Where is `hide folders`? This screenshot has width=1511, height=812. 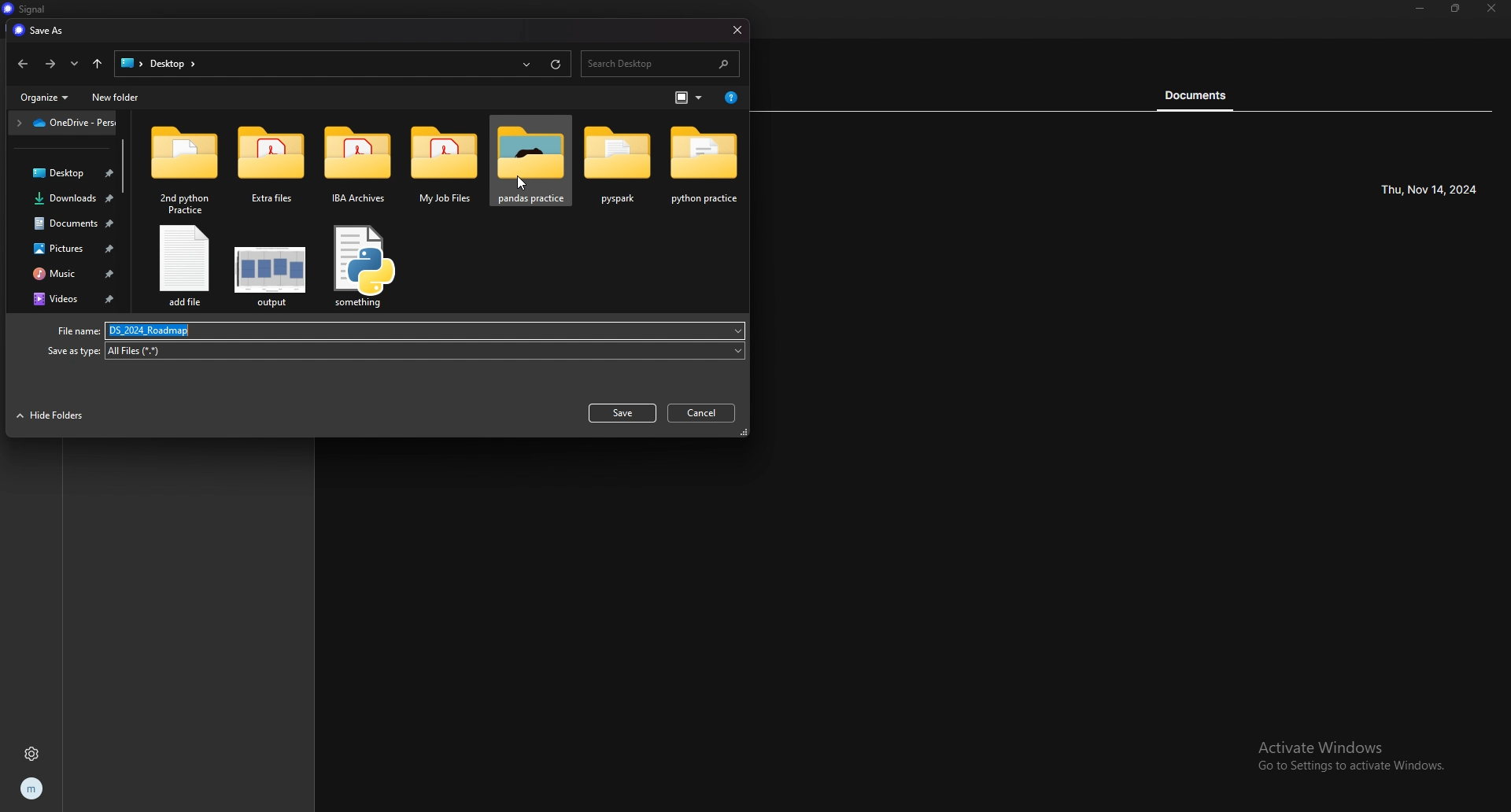 hide folders is located at coordinates (54, 415).